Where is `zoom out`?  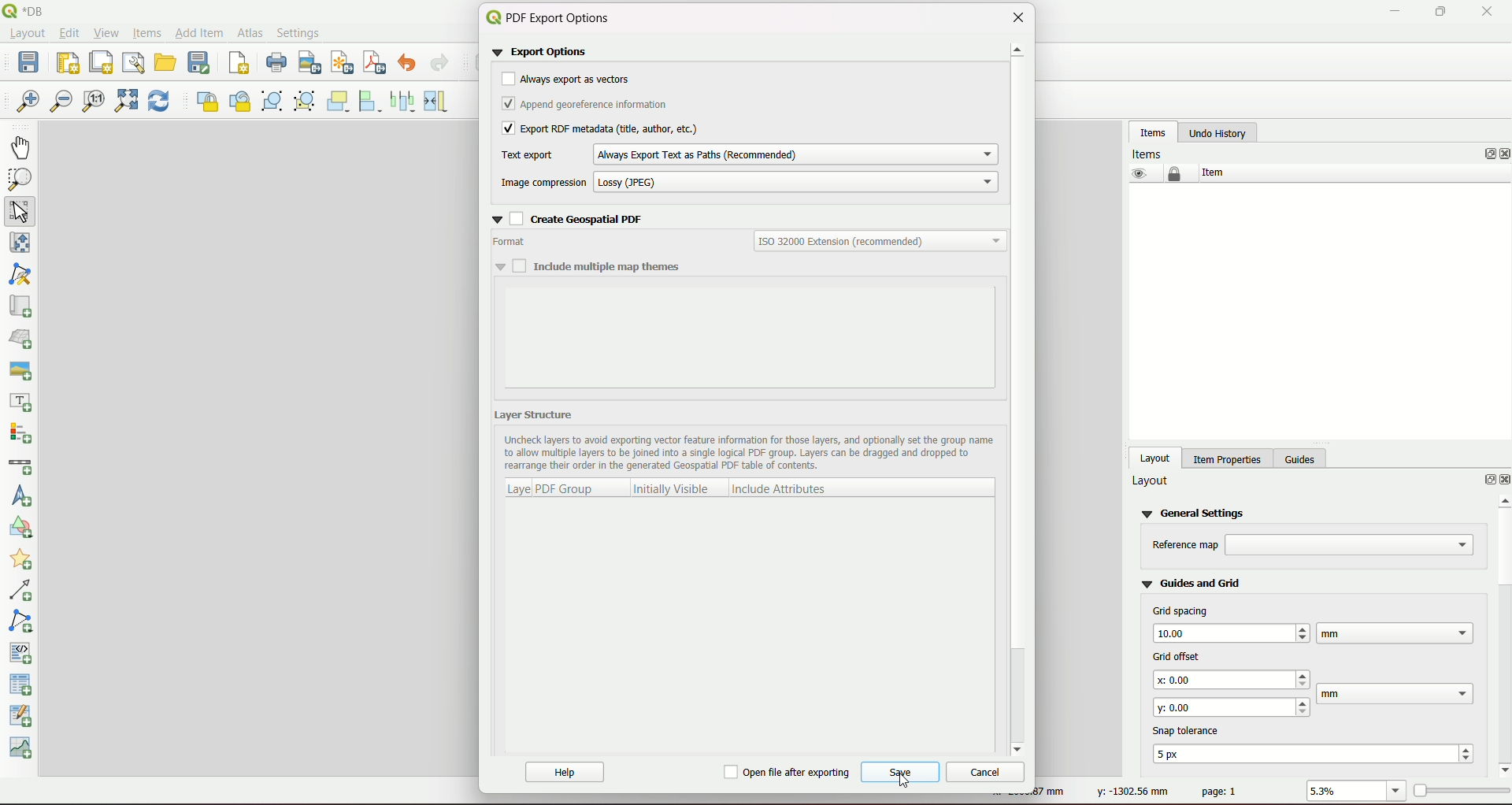 zoom out is located at coordinates (61, 103).